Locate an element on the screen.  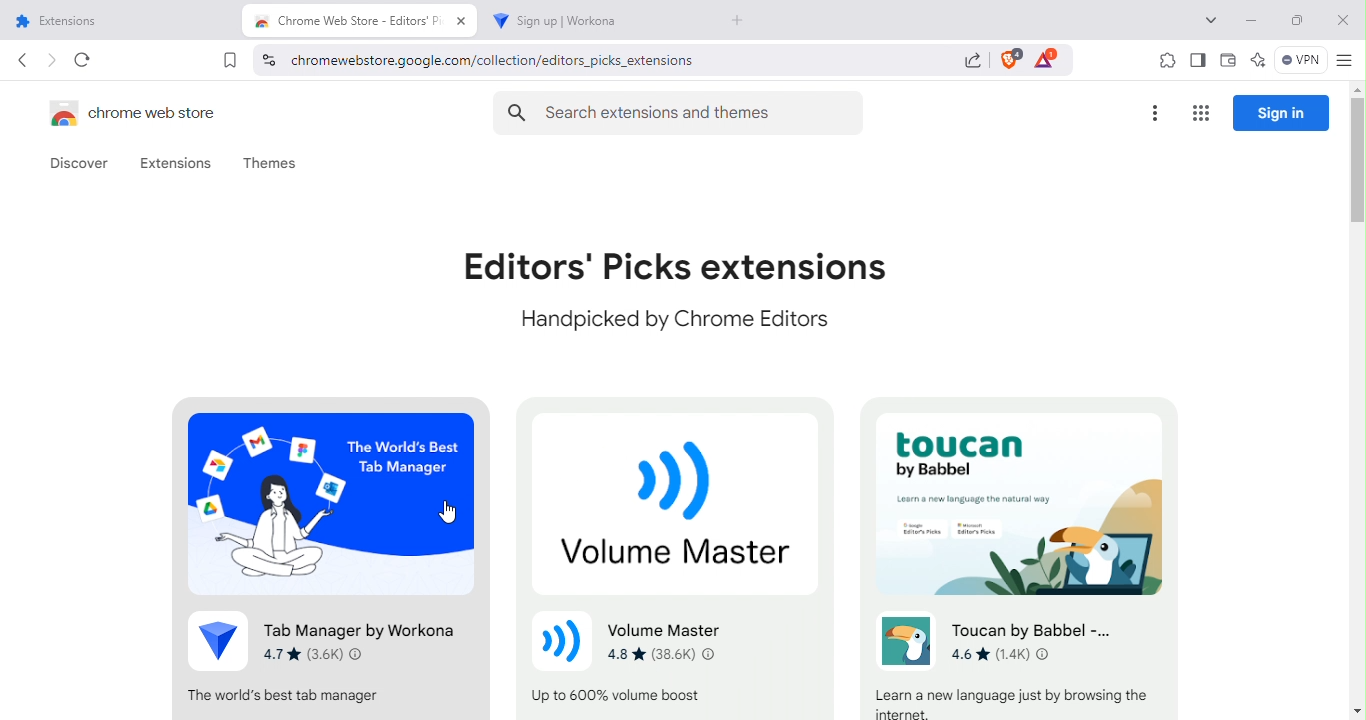
Close is located at coordinates (1340, 23).